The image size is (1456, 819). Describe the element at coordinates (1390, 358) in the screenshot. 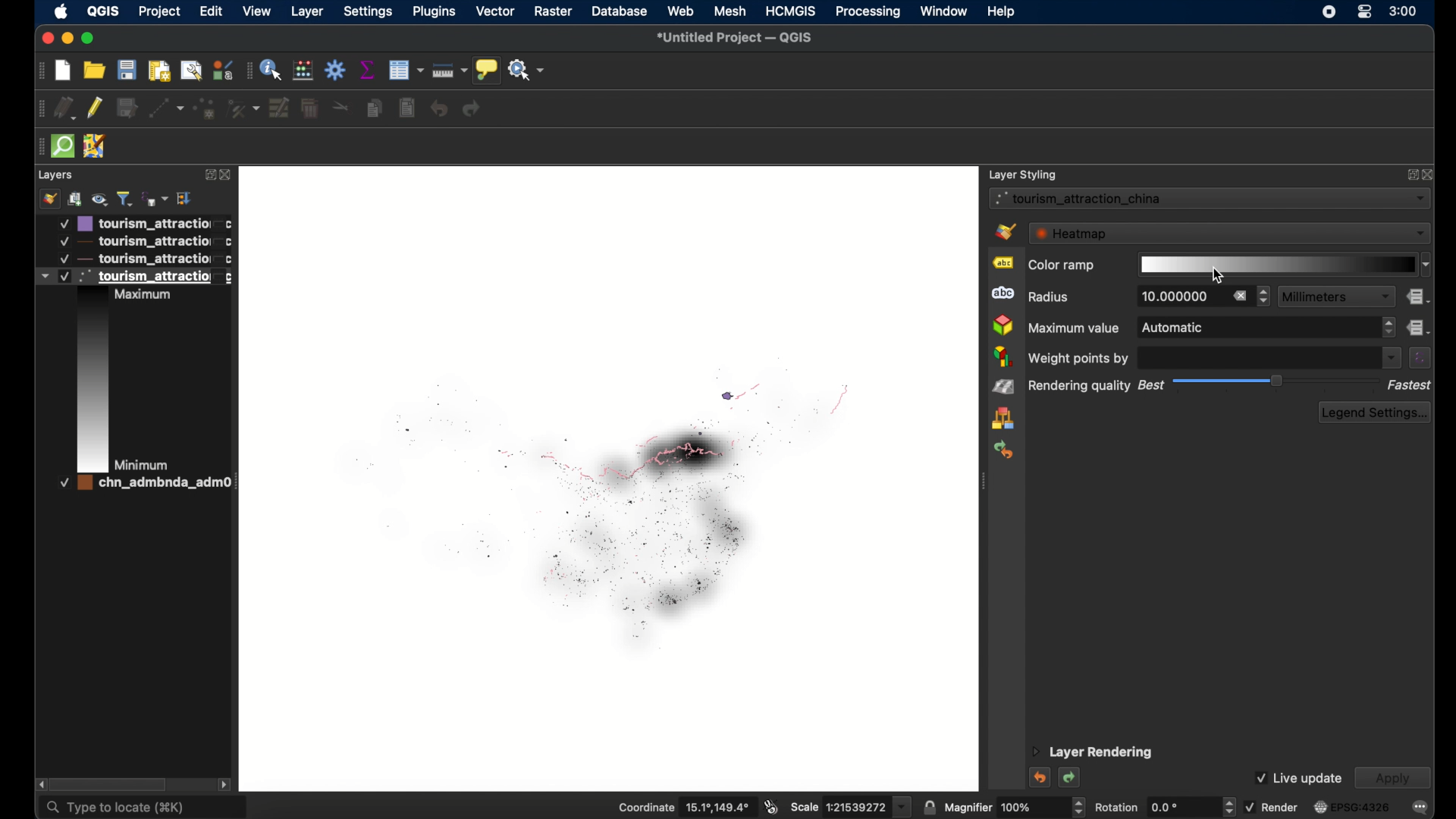

I see `dropdown menu` at that location.